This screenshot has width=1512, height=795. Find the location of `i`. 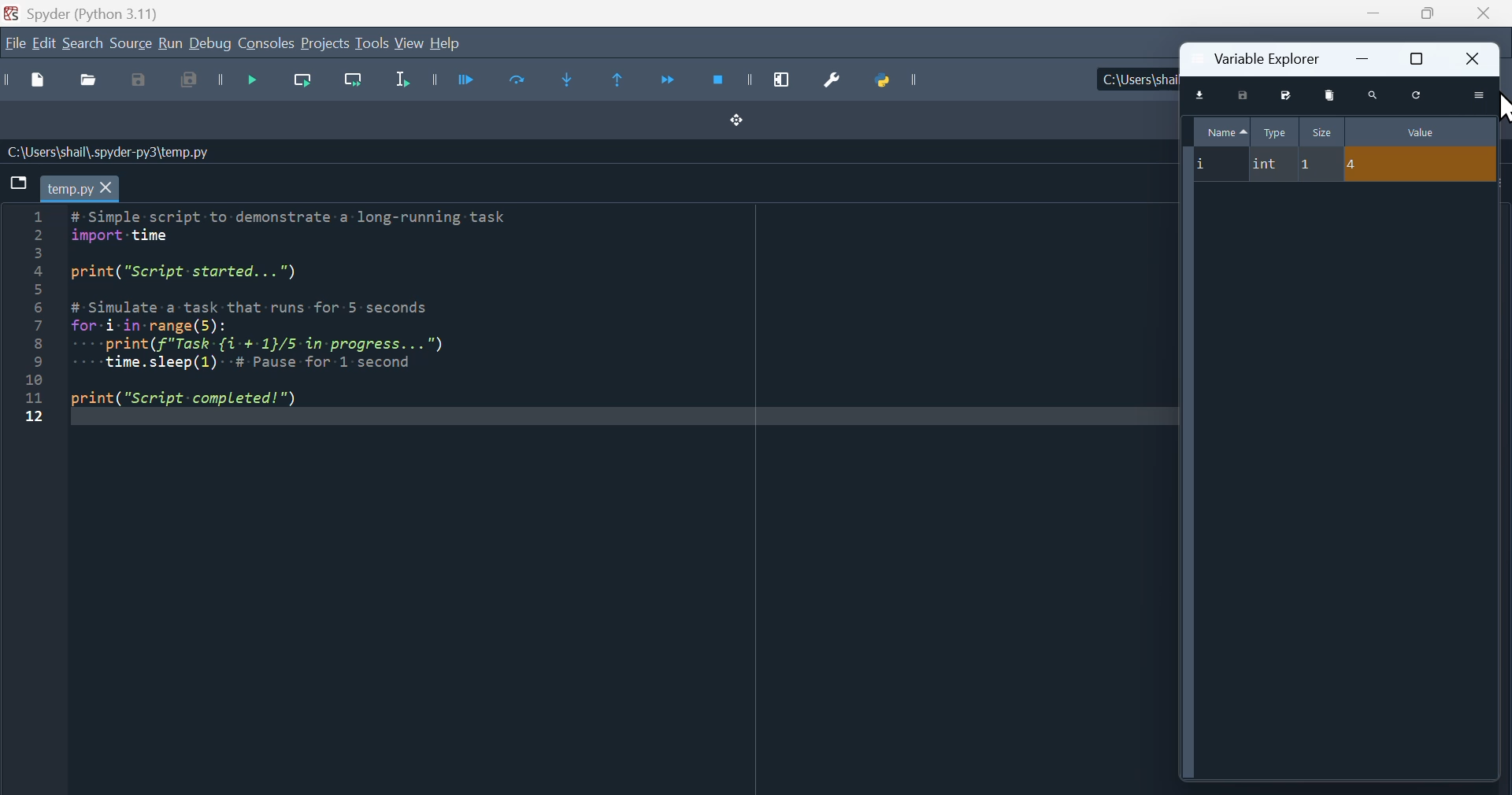

i is located at coordinates (1215, 165).